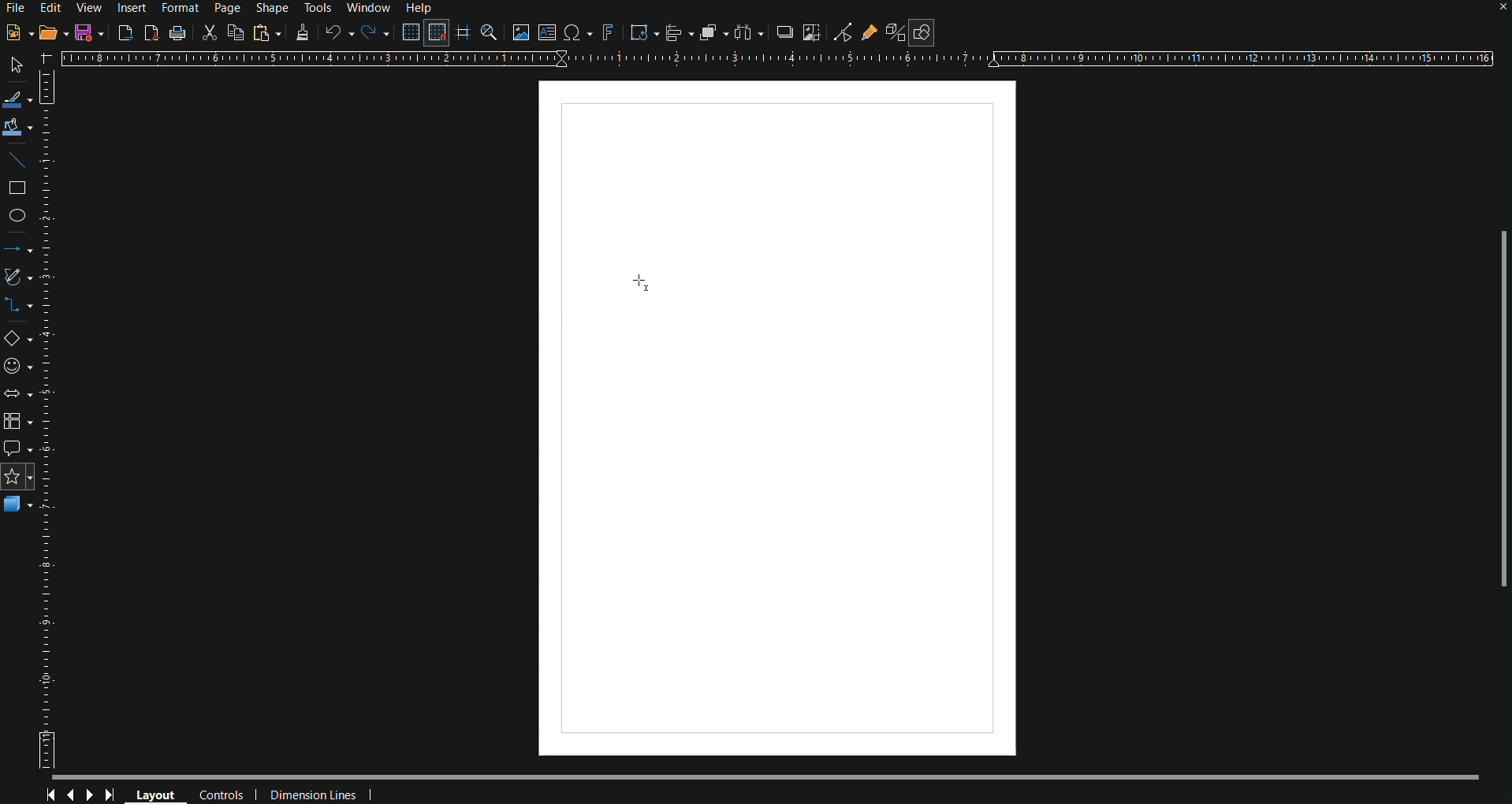 This screenshot has width=1512, height=804. Describe the element at coordinates (20, 253) in the screenshot. I see `Arrows` at that location.